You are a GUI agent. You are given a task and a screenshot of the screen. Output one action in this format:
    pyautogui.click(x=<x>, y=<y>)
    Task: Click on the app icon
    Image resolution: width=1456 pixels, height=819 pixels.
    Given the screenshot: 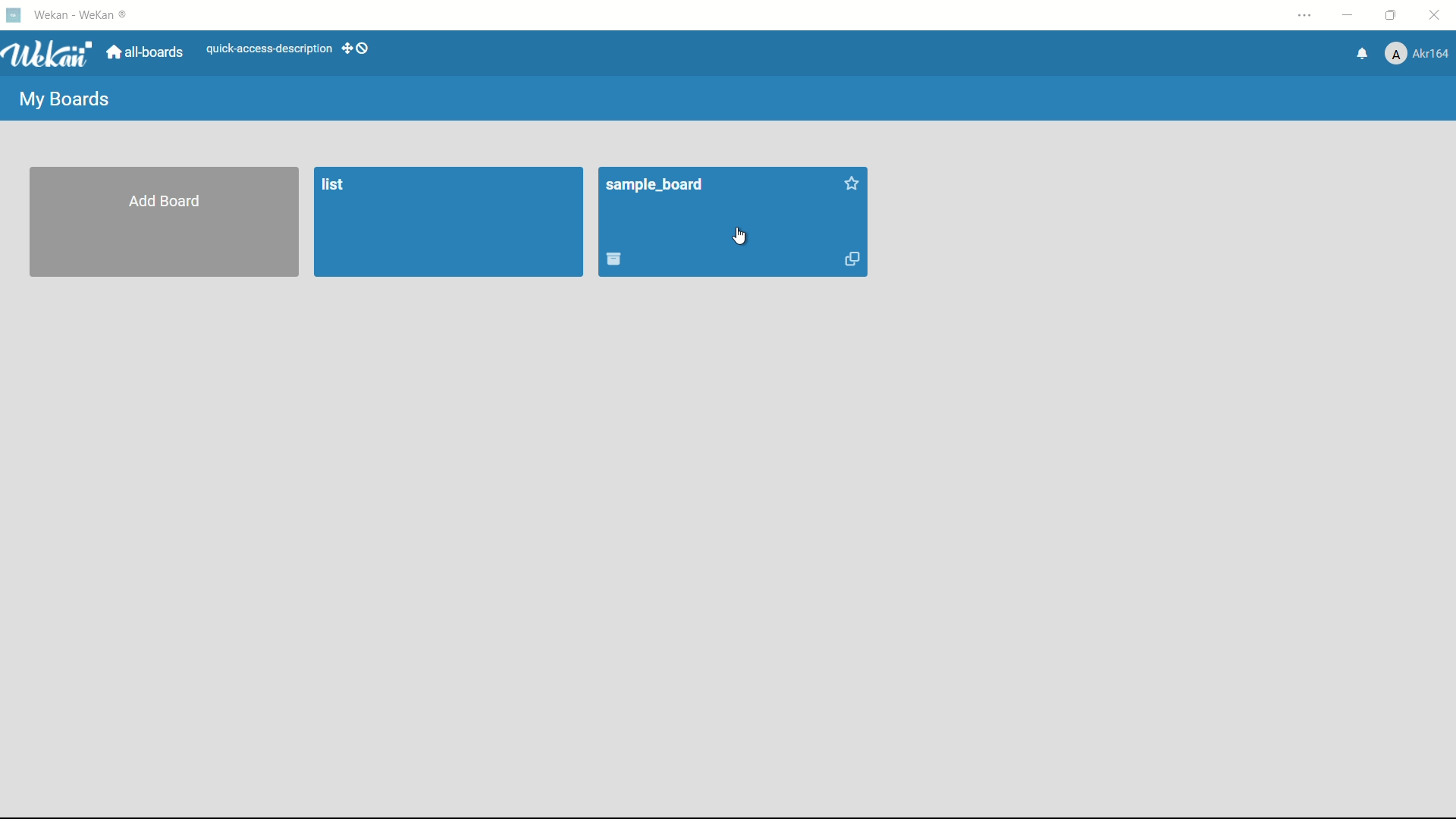 What is the action you would take?
    pyautogui.click(x=15, y=14)
    